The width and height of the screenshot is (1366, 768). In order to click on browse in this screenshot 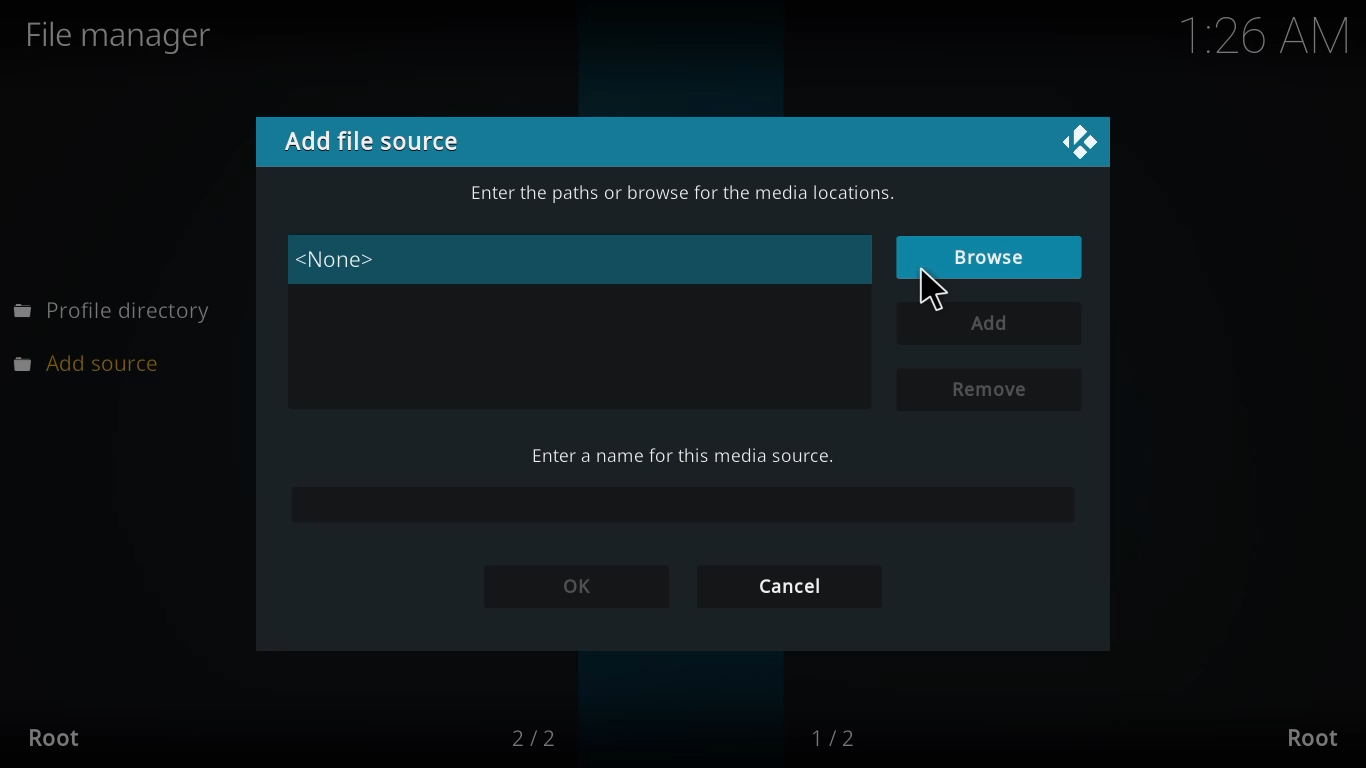, I will do `click(995, 255)`.